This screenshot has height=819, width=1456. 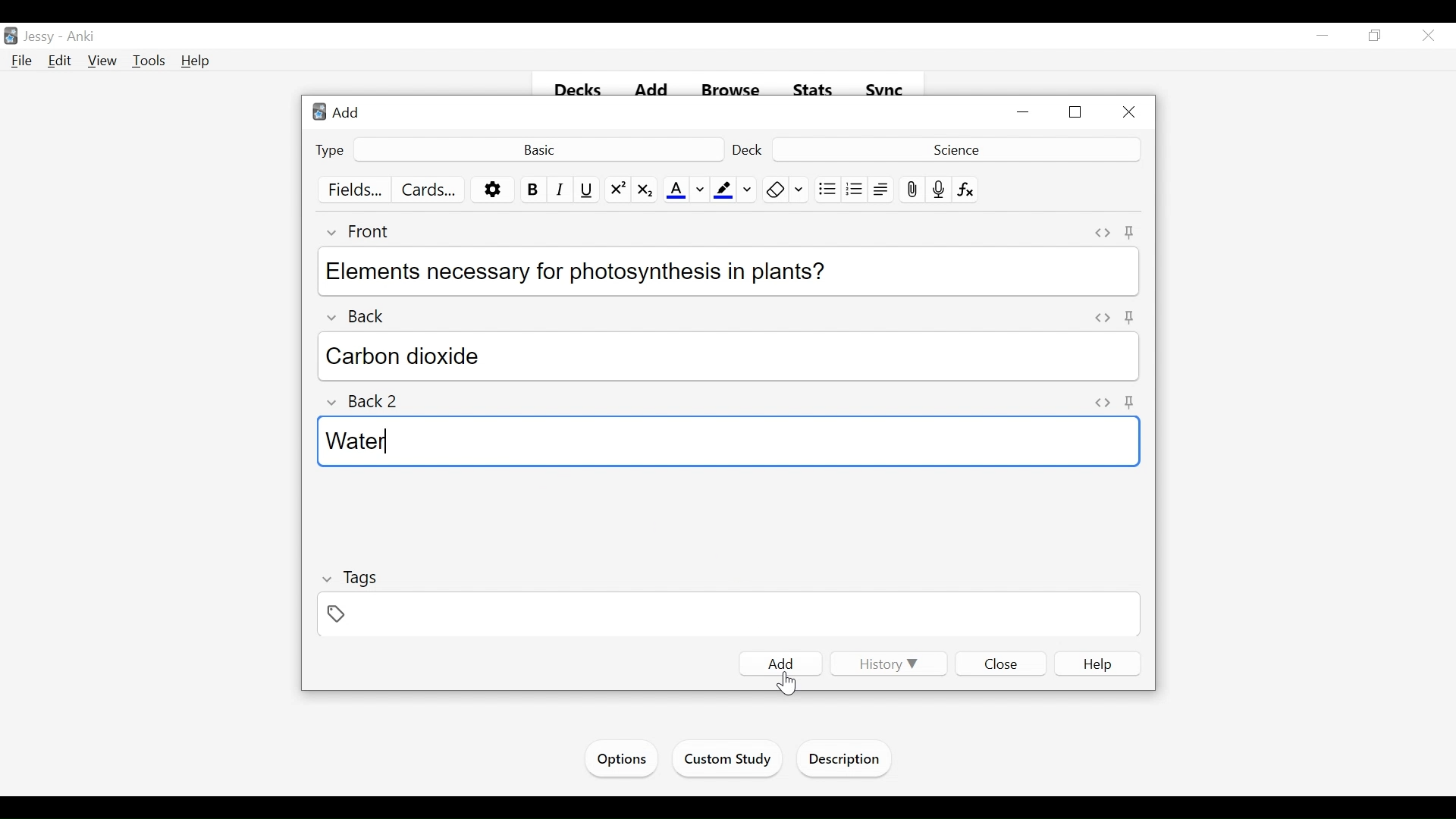 What do you see at coordinates (493, 190) in the screenshot?
I see `Options` at bounding box center [493, 190].